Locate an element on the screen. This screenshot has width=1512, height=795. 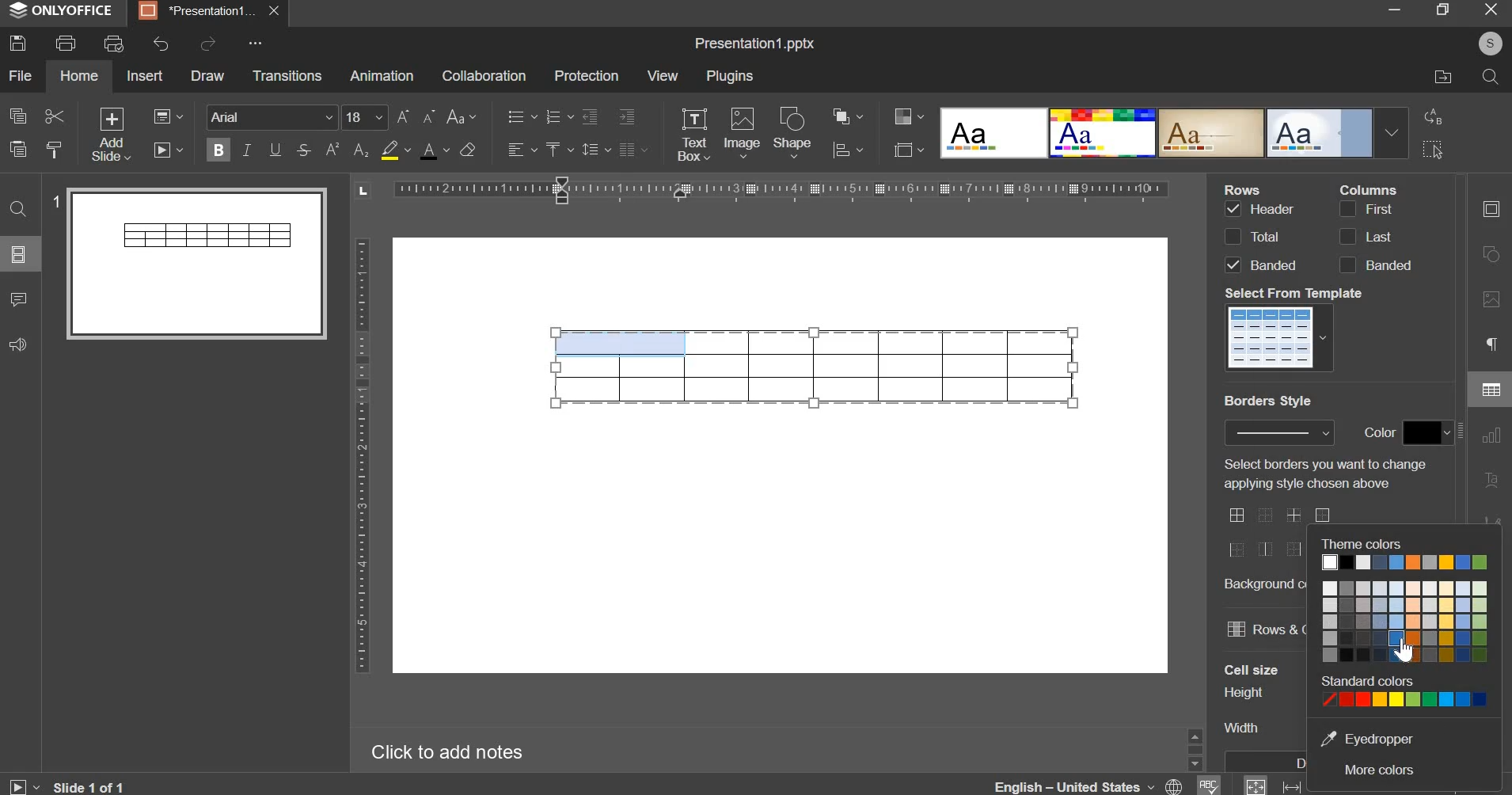
Border Style is located at coordinates (1268, 401).